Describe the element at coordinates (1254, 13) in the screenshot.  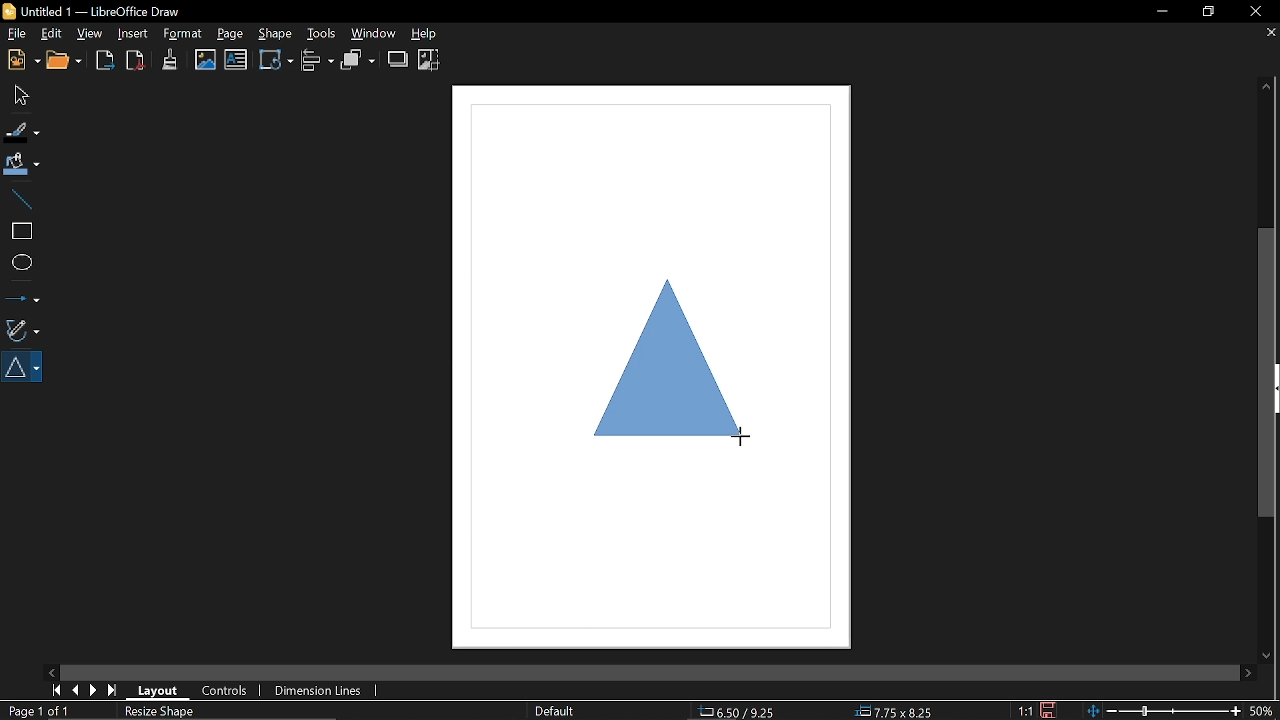
I see `Close` at that location.